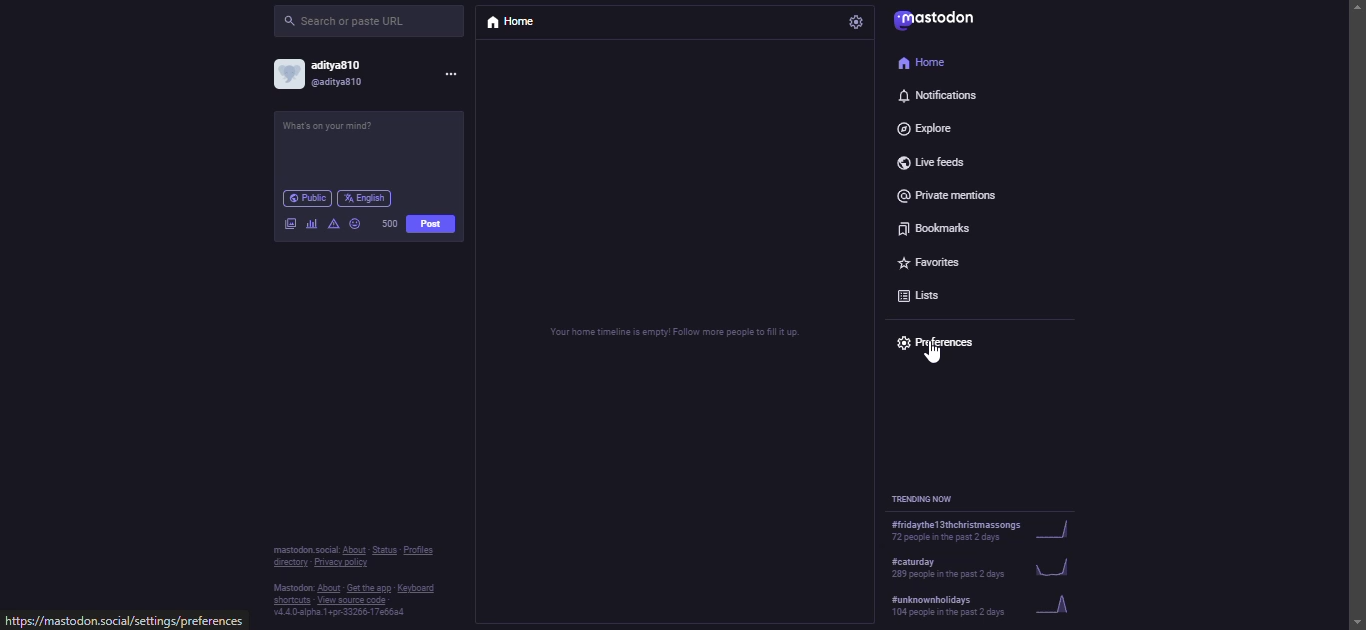  Describe the element at coordinates (349, 22) in the screenshot. I see `search` at that location.